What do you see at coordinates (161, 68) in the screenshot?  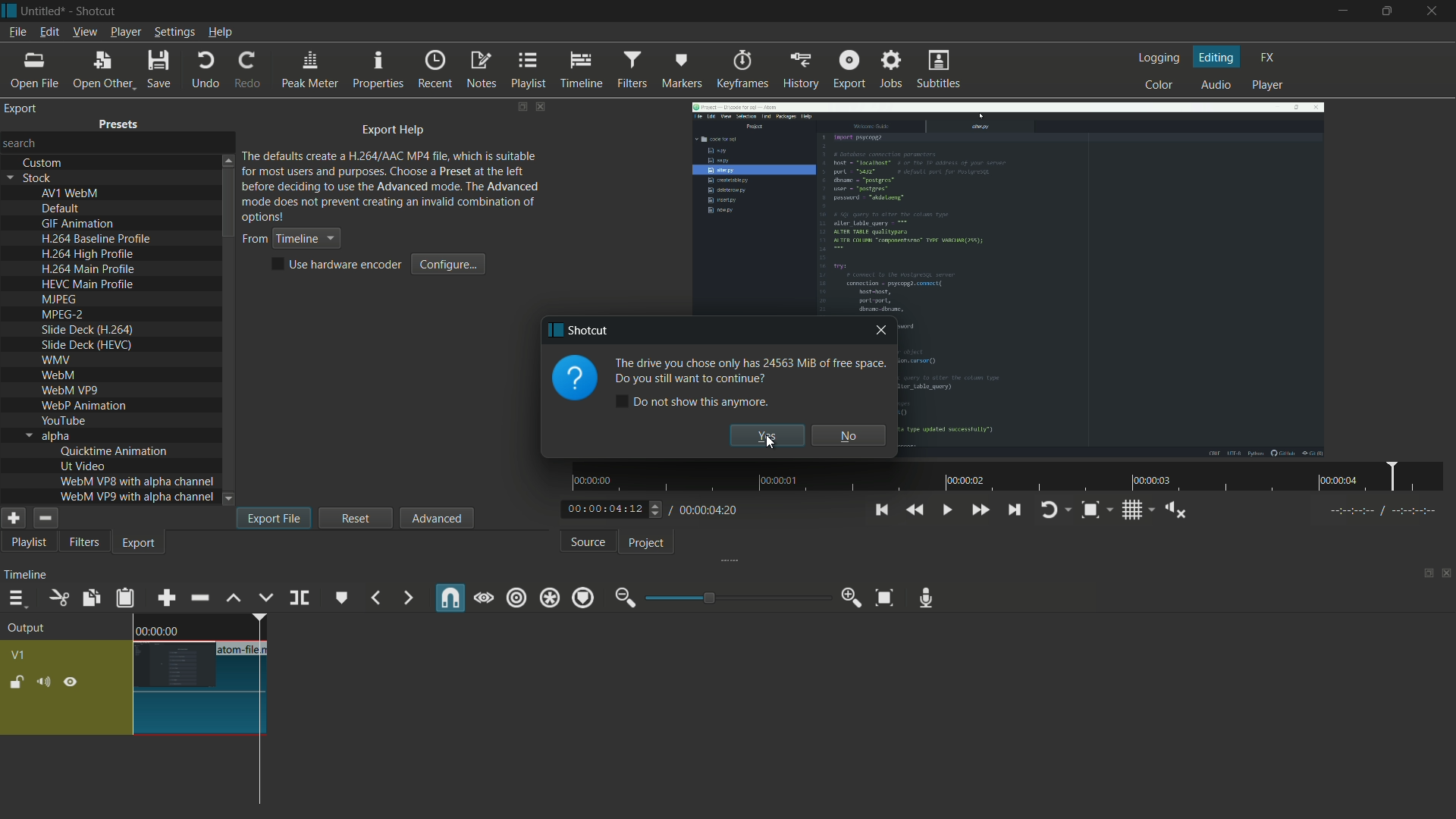 I see `save` at bounding box center [161, 68].